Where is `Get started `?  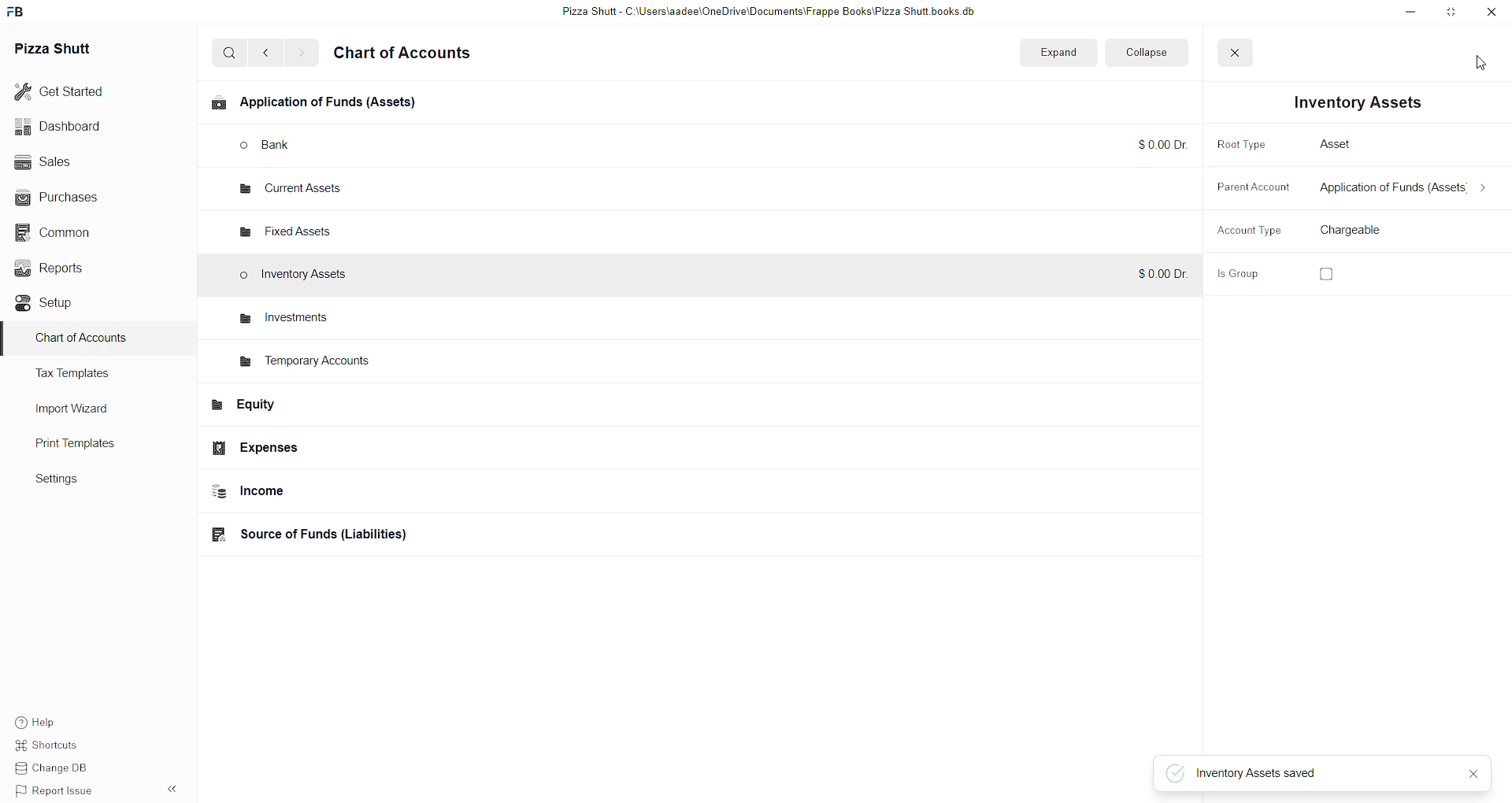
Get started  is located at coordinates (69, 91).